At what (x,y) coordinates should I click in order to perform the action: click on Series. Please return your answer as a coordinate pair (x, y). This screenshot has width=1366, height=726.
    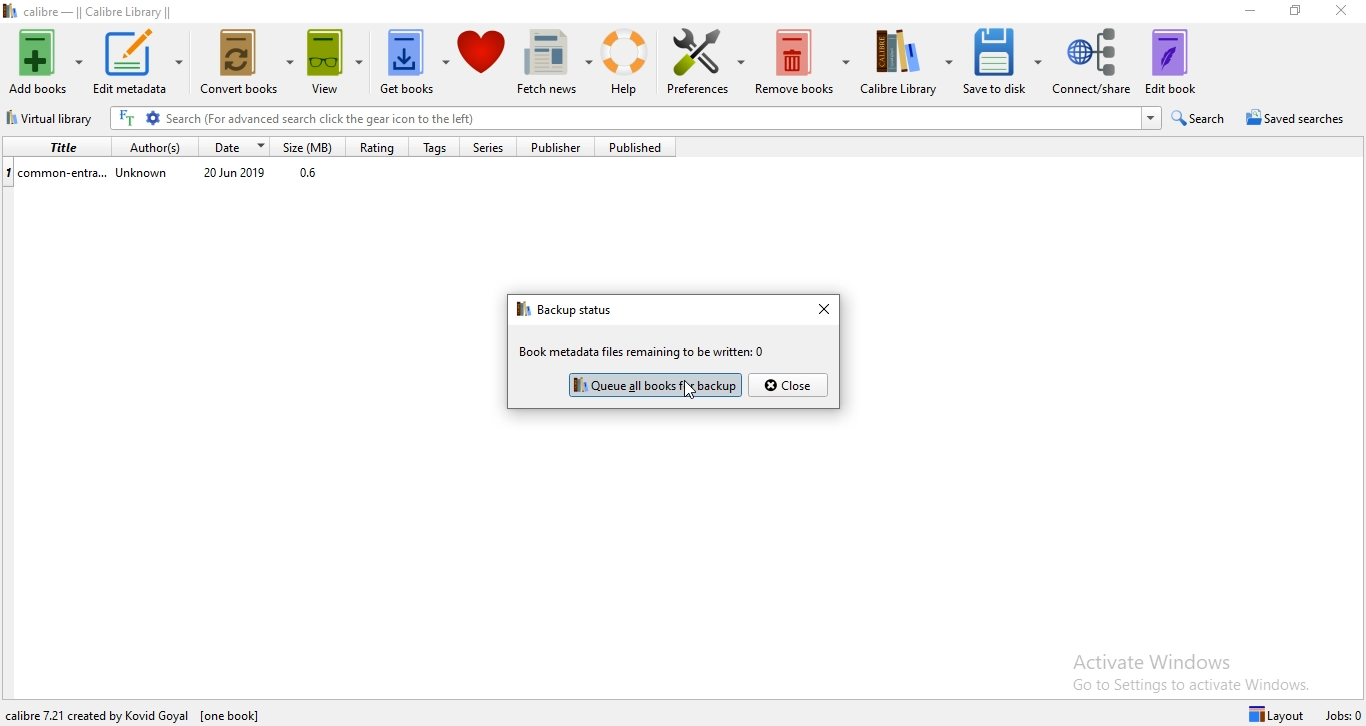
    Looking at the image, I should click on (495, 148).